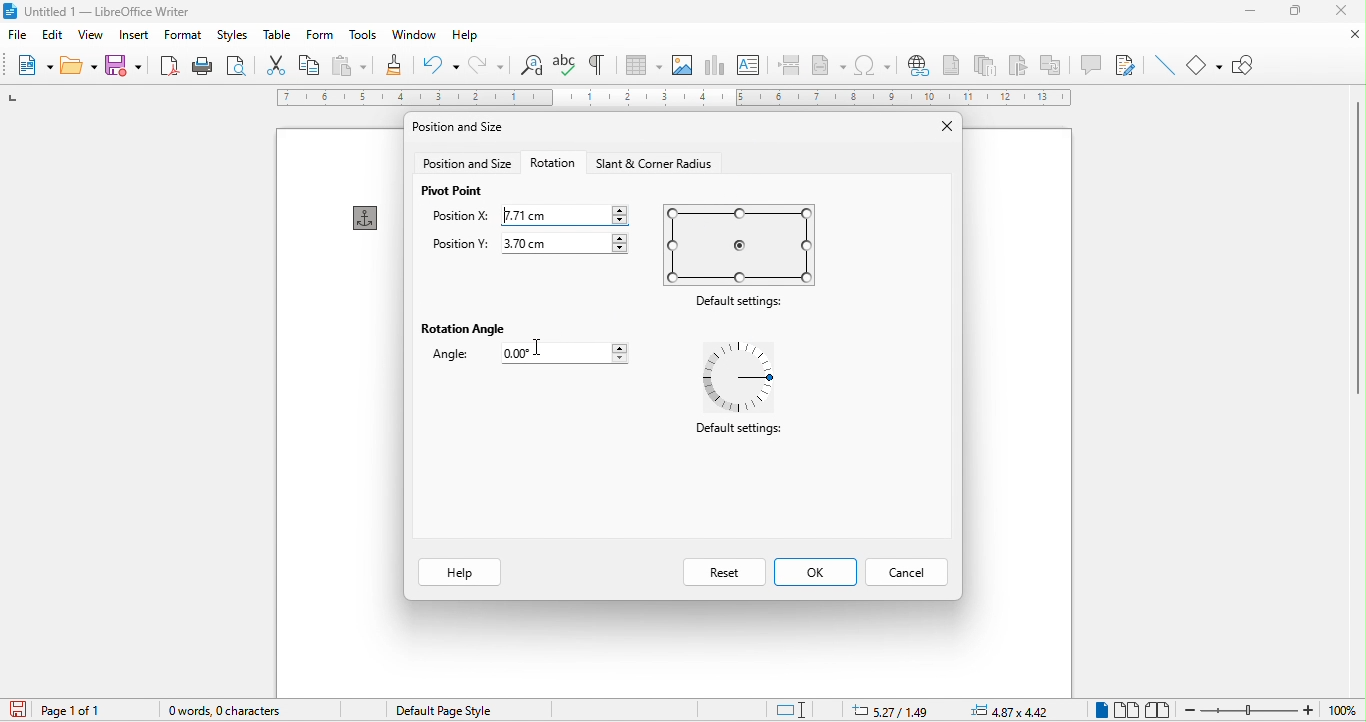 This screenshot has height=722, width=1366. Describe the element at coordinates (458, 191) in the screenshot. I see `pivot point` at that location.